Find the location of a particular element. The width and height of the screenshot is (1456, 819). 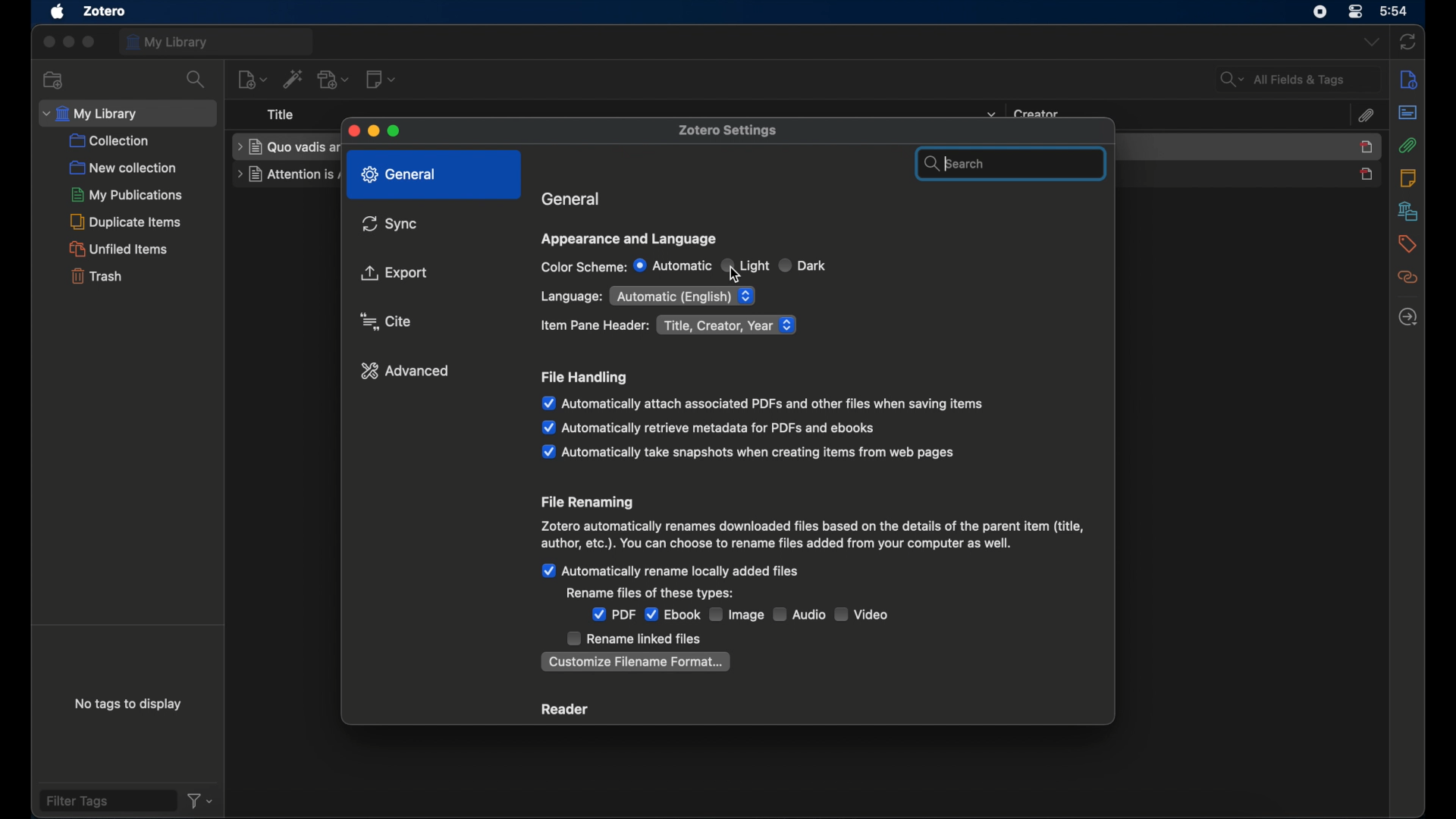

new note is located at coordinates (381, 79).